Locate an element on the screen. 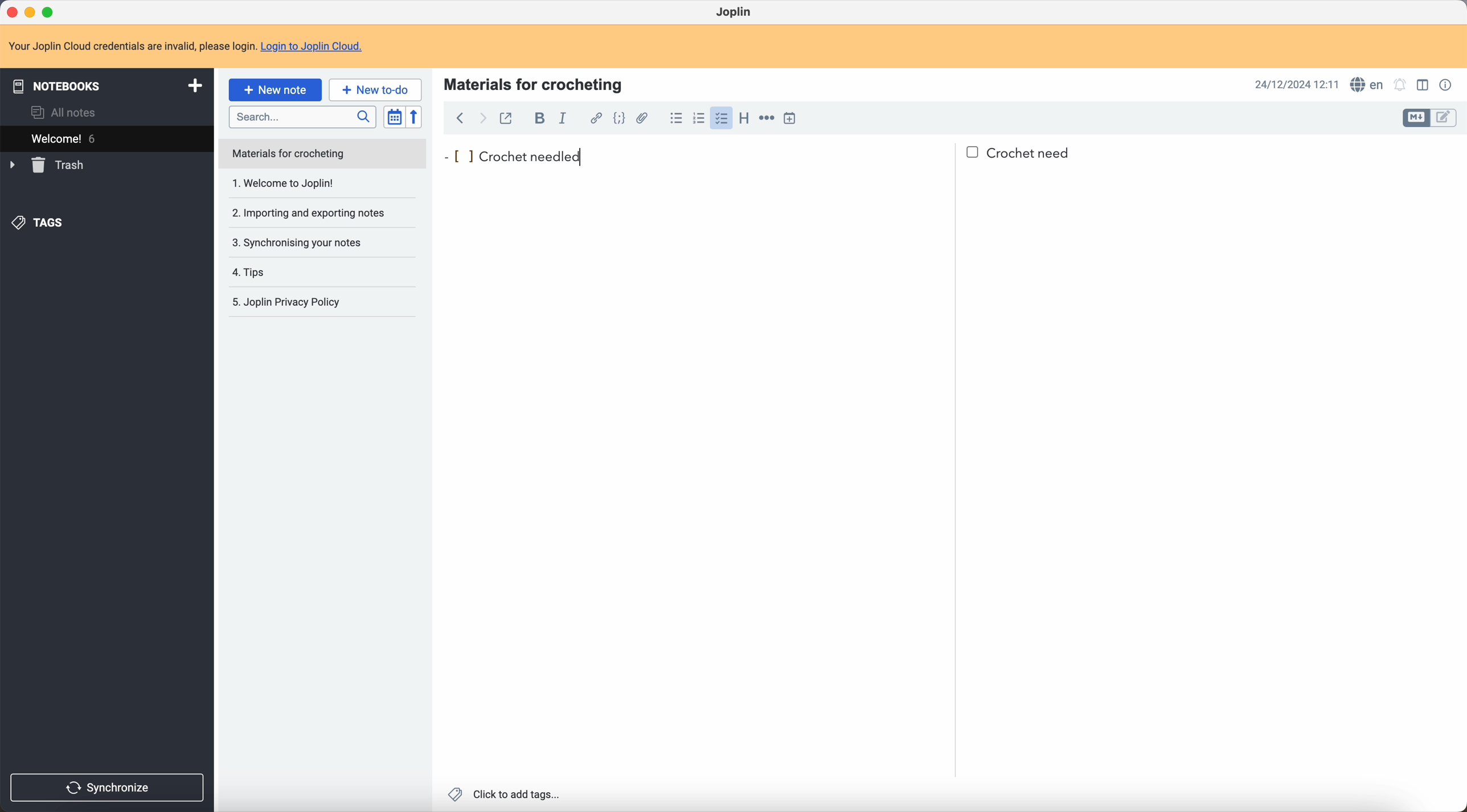 The image size is (1467, 812). importing and exporting notes is located at coordinates (315, 212).